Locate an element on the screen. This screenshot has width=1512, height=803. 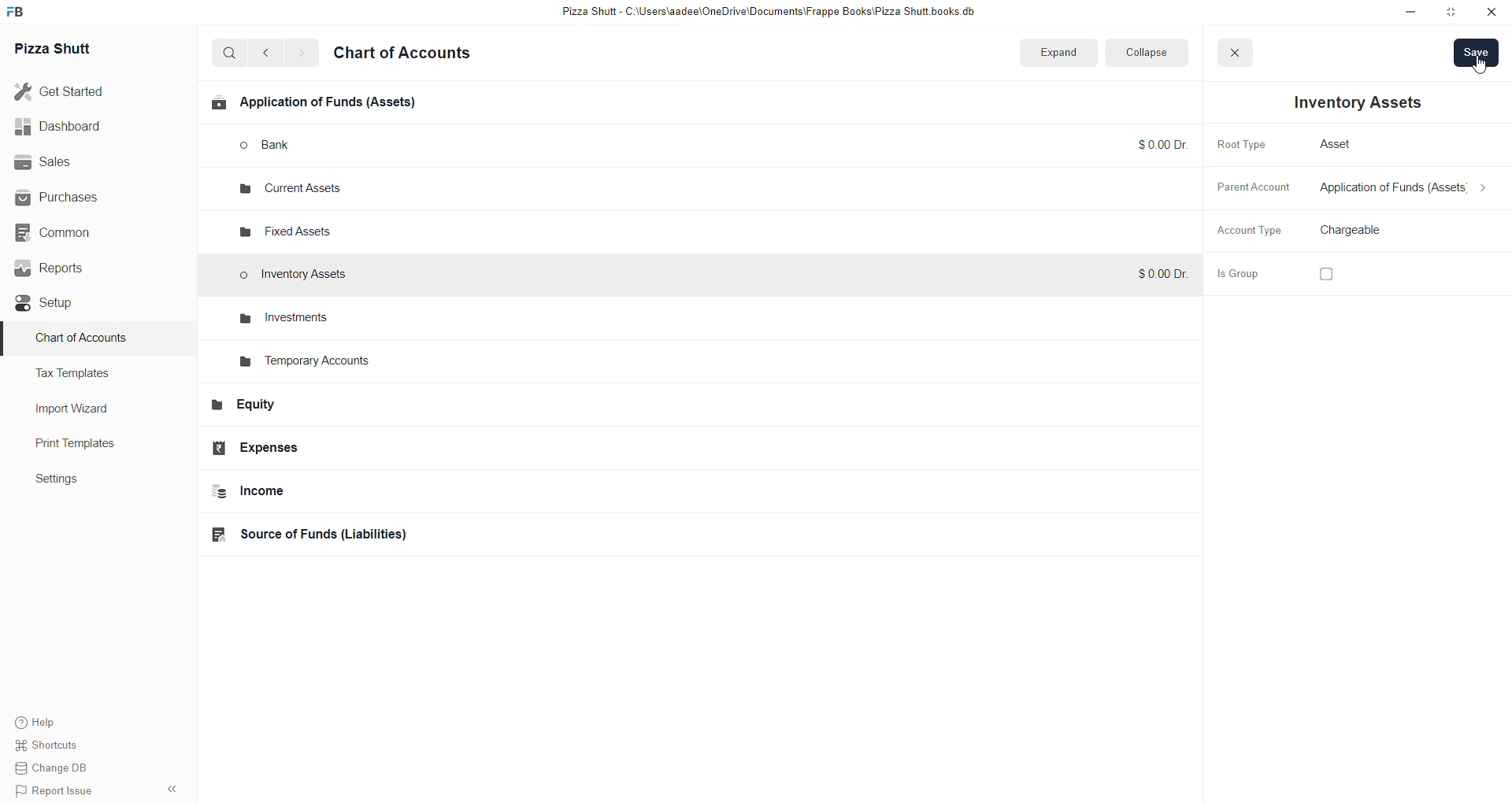
Inventory Assets  is located at coordinates (1347, 102).